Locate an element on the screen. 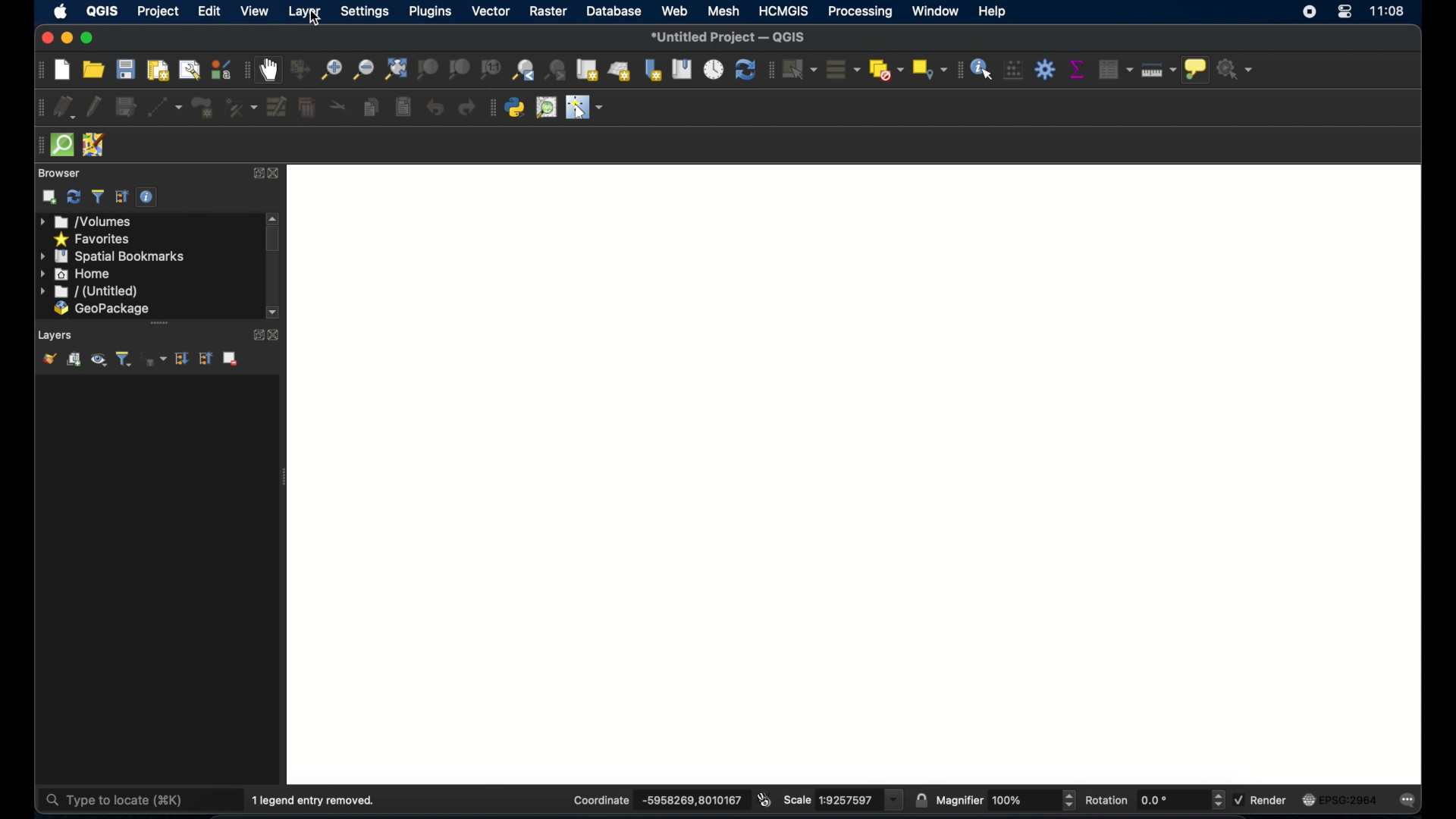  rotations is located at coordinates (1155, 800).